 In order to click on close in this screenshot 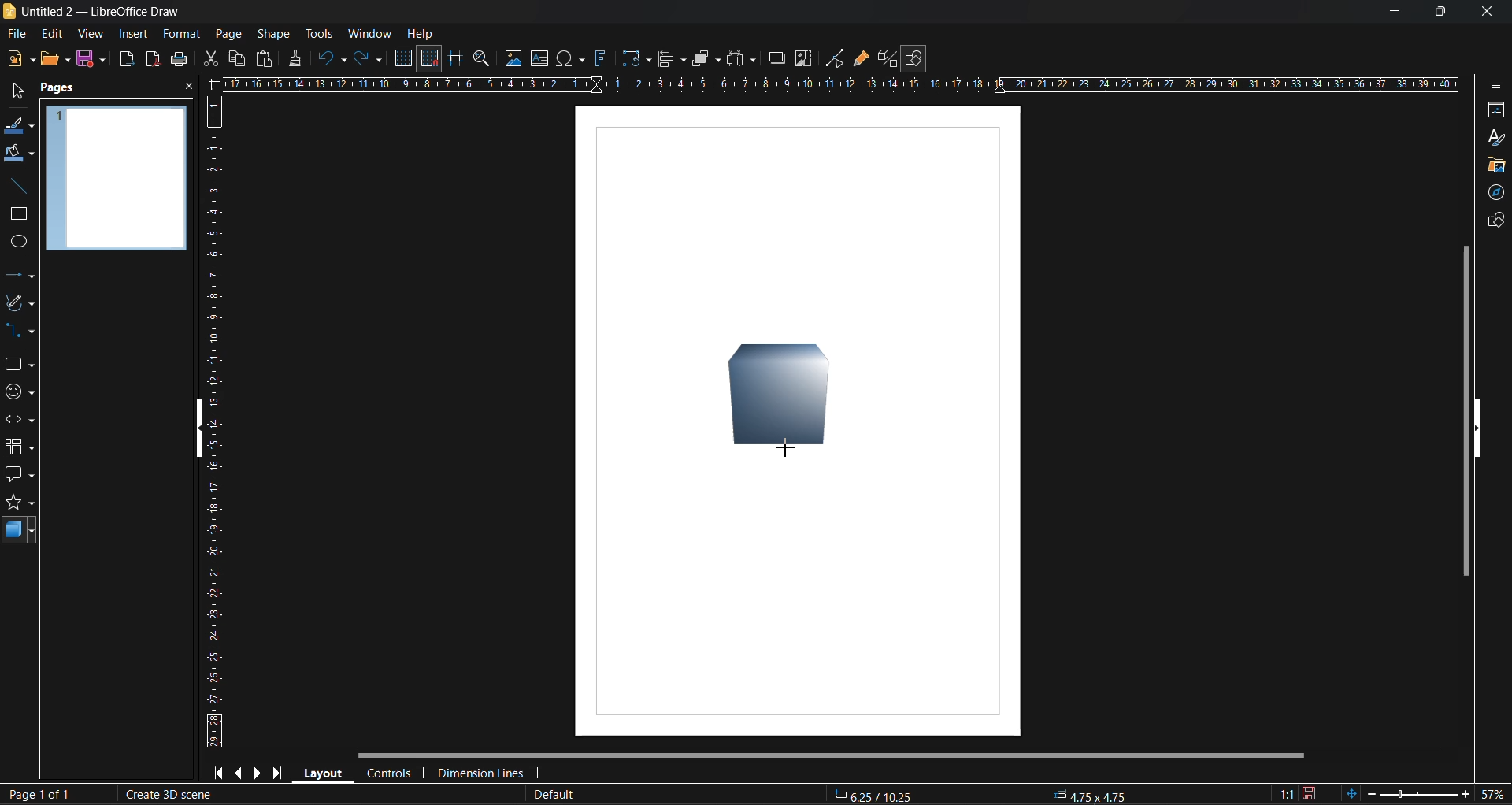, I will do `click(1484, 9)`.